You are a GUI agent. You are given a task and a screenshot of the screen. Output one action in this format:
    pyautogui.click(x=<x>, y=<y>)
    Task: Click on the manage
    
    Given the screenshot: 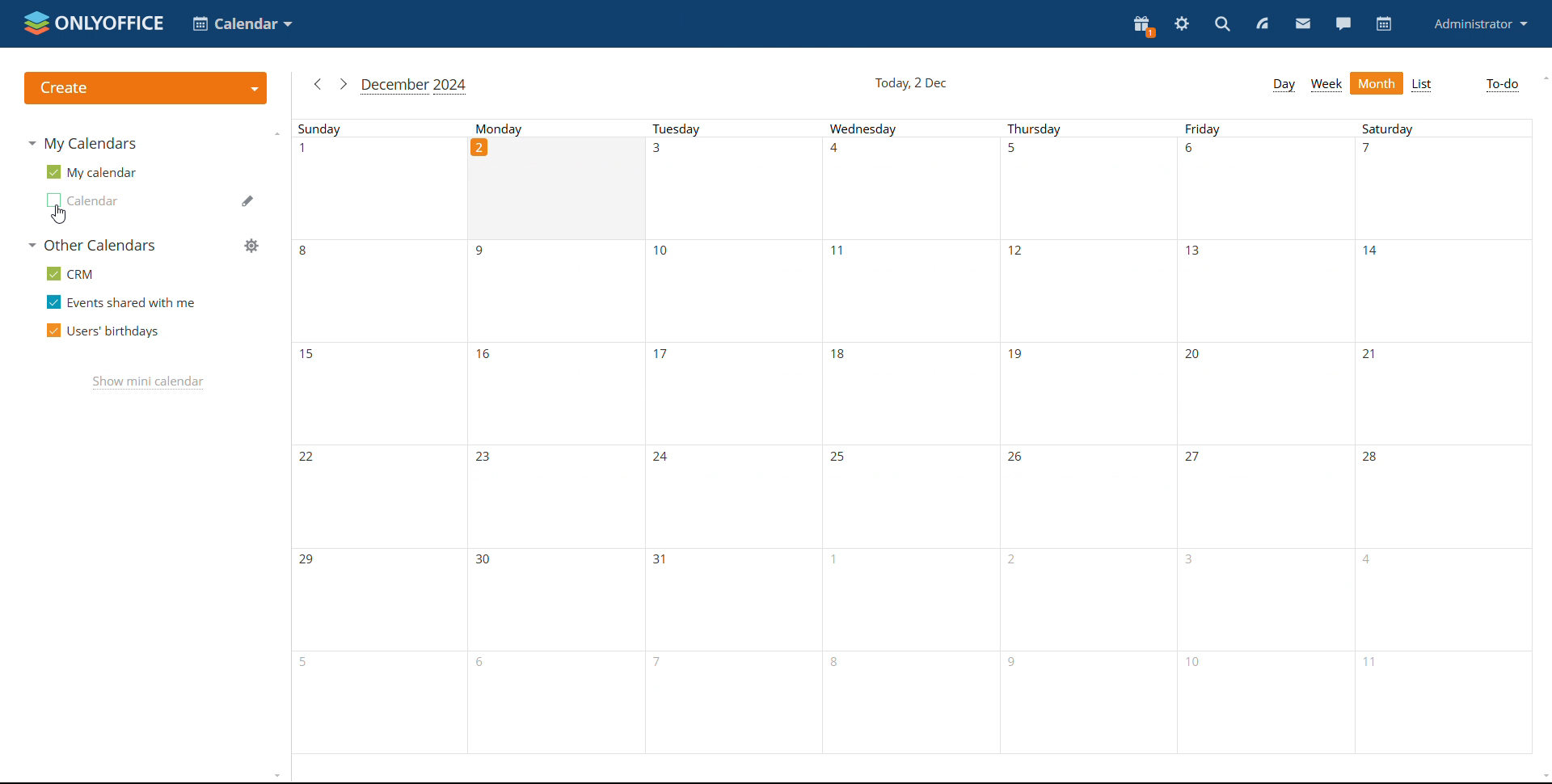 What is the action you would take?
    pyautogui.click(x=251, y=246)
    